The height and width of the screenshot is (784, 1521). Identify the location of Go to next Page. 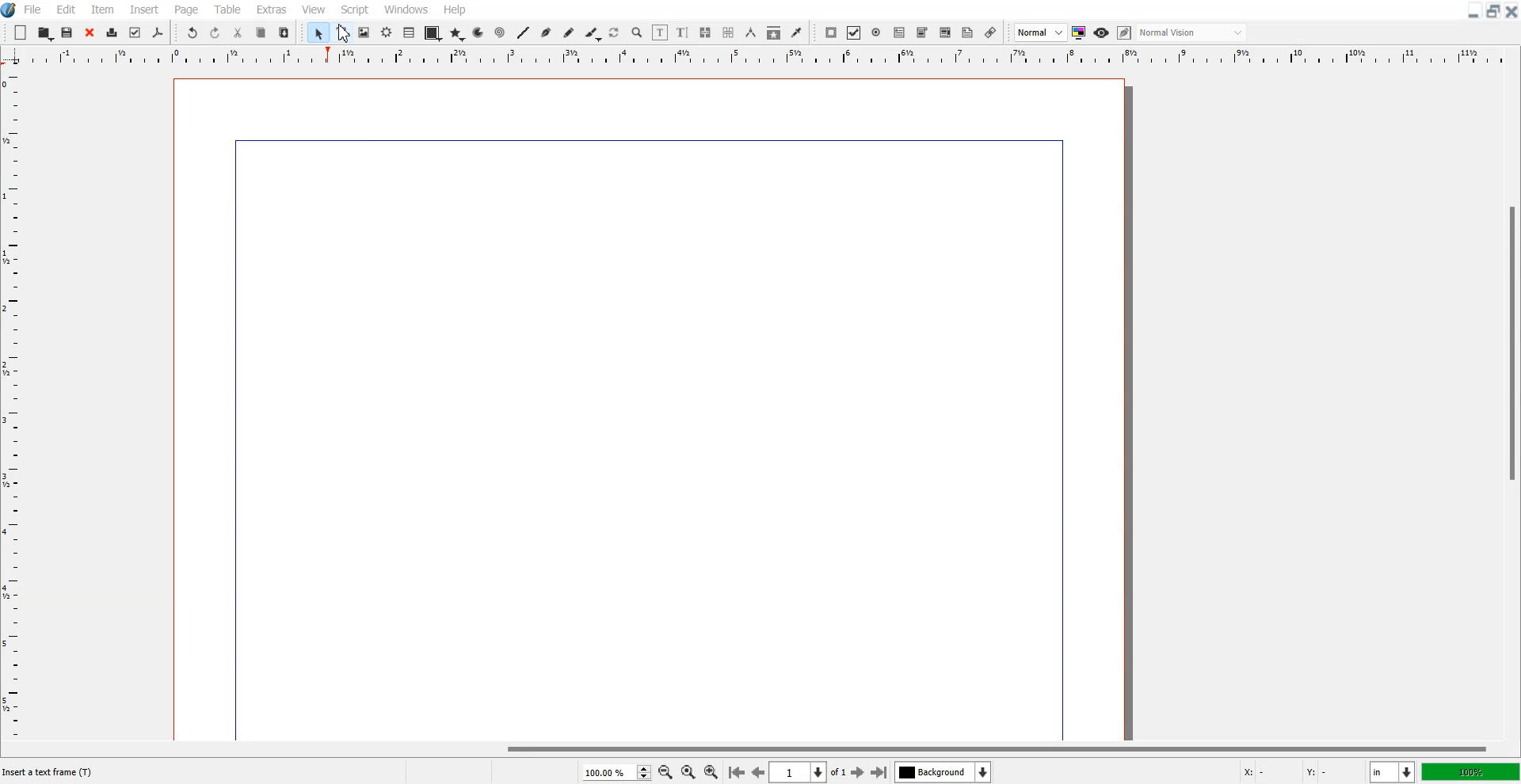
(858, 773).